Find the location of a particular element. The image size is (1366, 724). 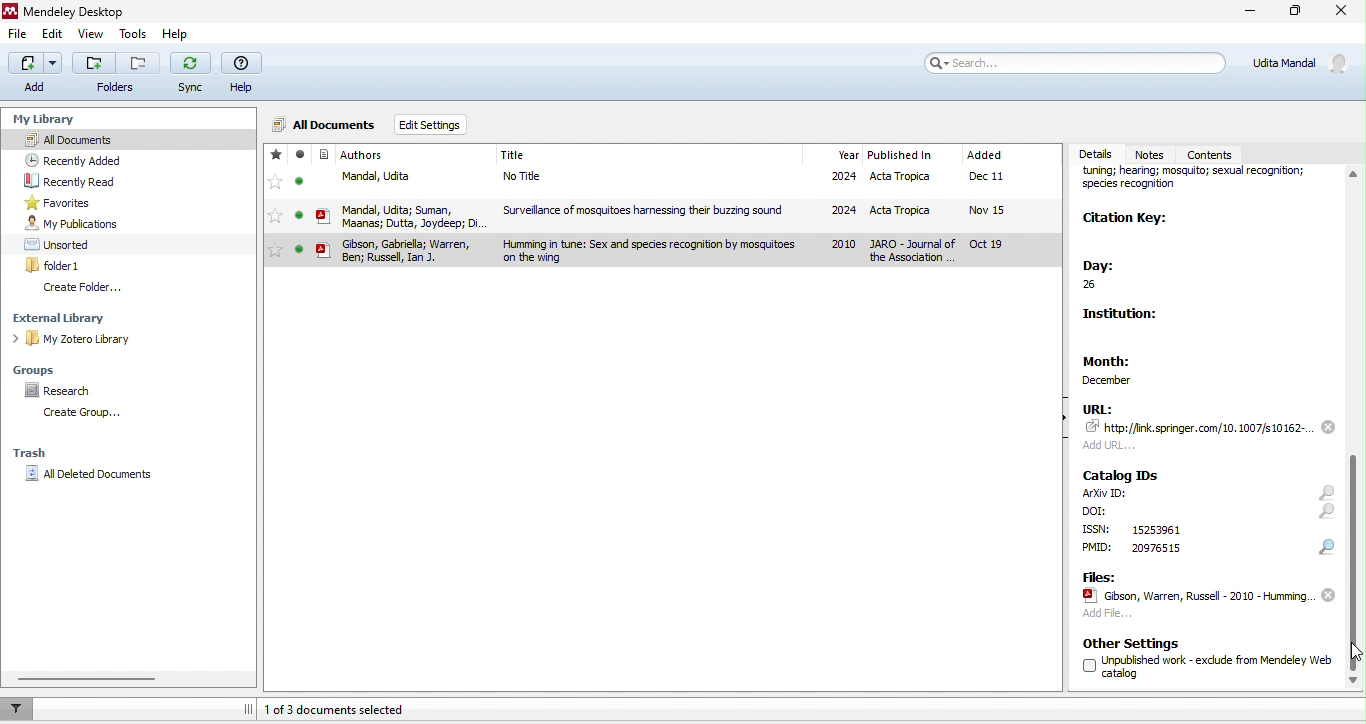

checkbox is located at coordinates (1088, 666).